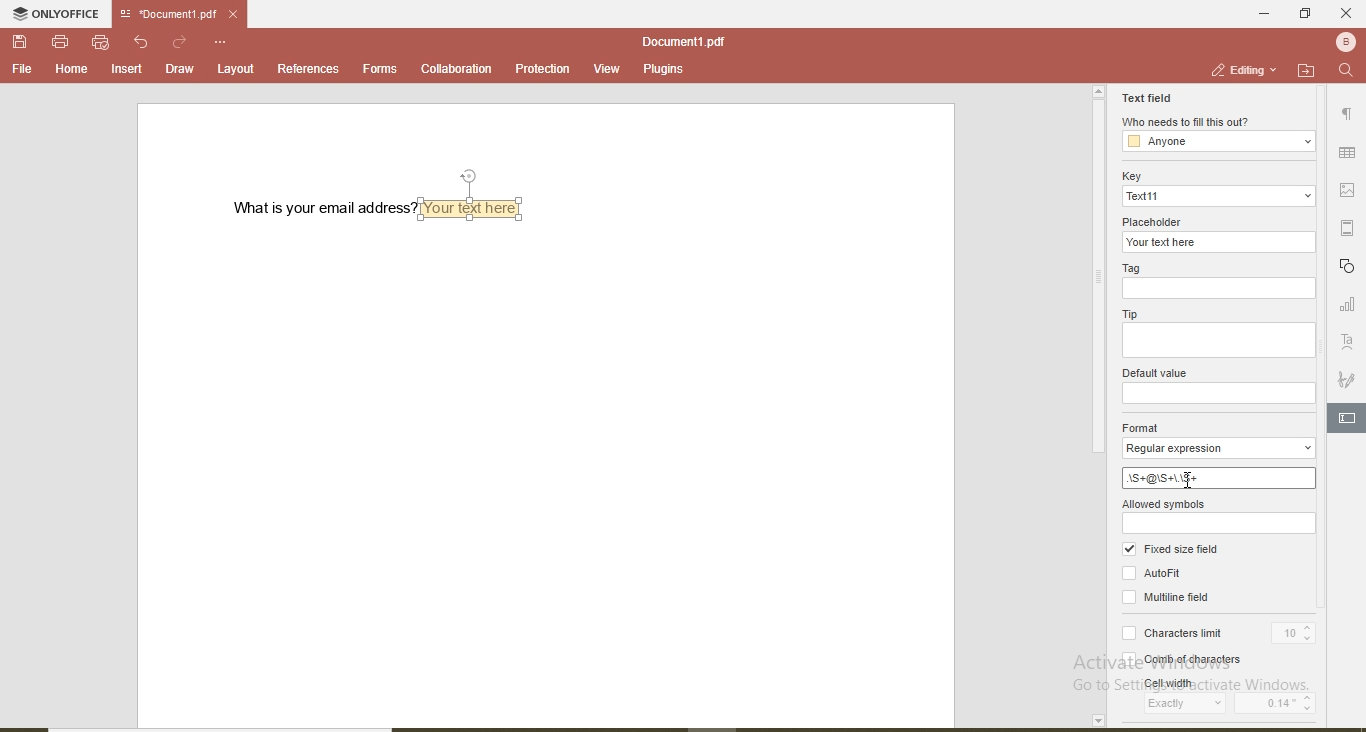  Describe the element at coordinates (22, 69) in the screenshot. I see `file` at that location.